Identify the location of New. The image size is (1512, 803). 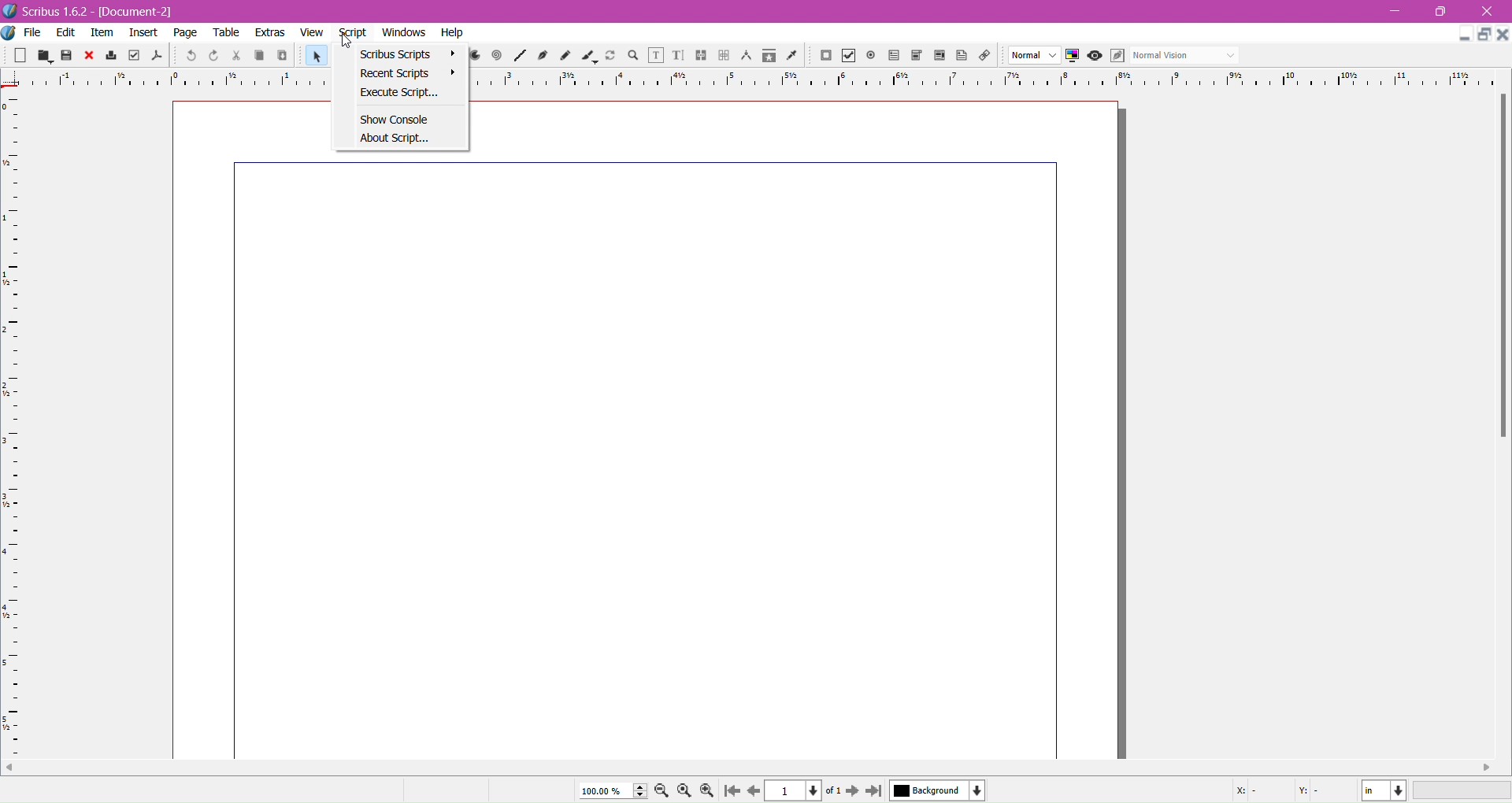
(18, 57).